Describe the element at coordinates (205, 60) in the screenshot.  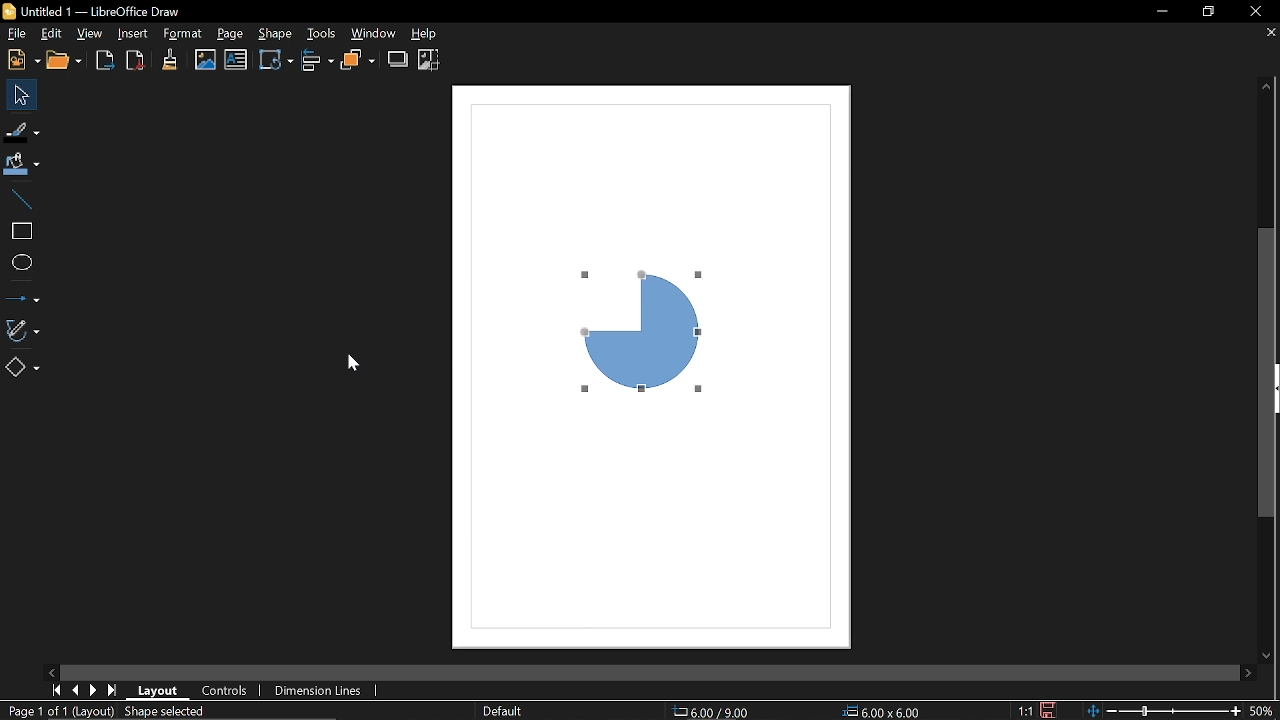
I see `Insert image` at that location.